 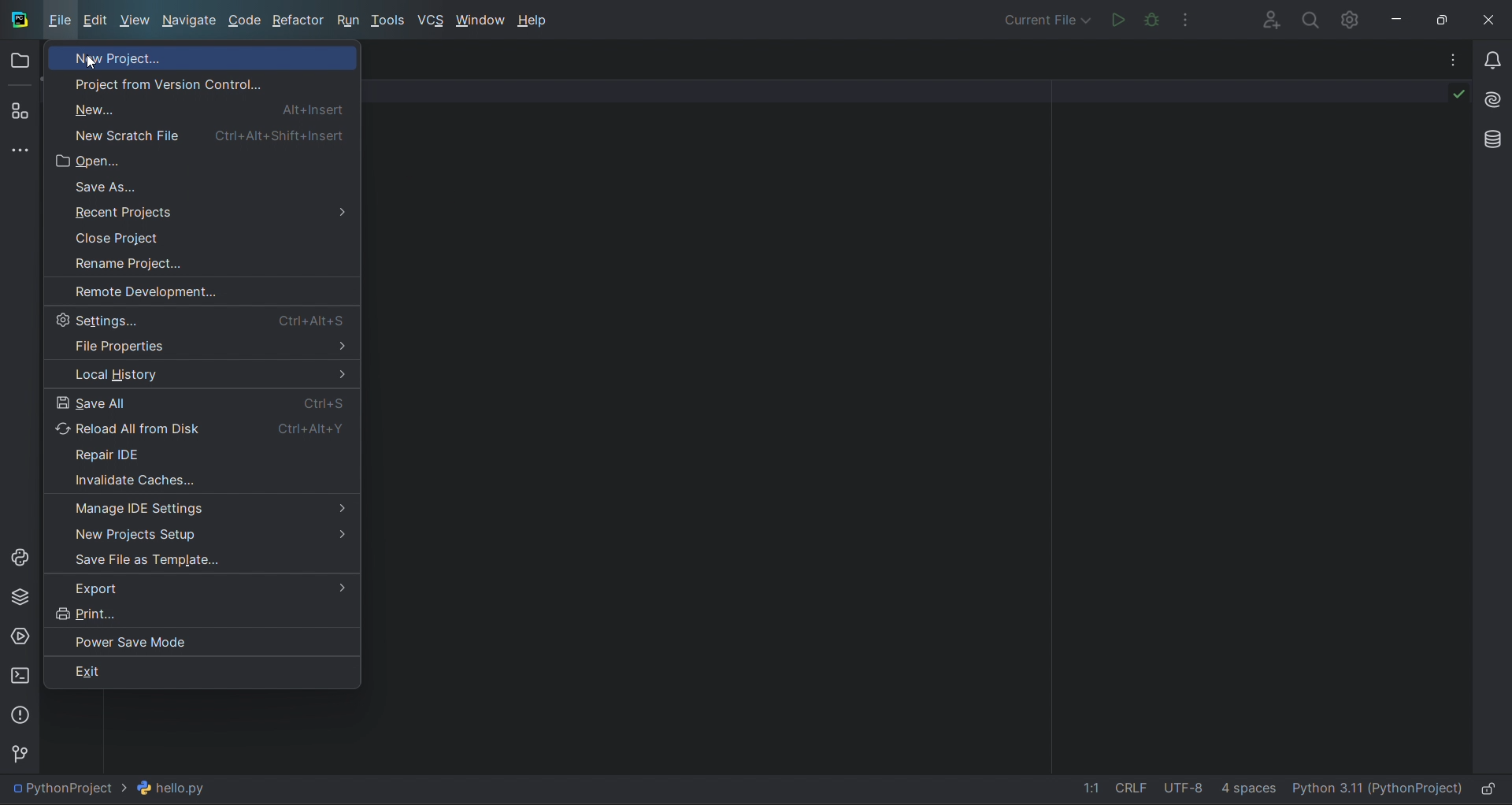 I want to click on close, so click(x=1492, y=17).